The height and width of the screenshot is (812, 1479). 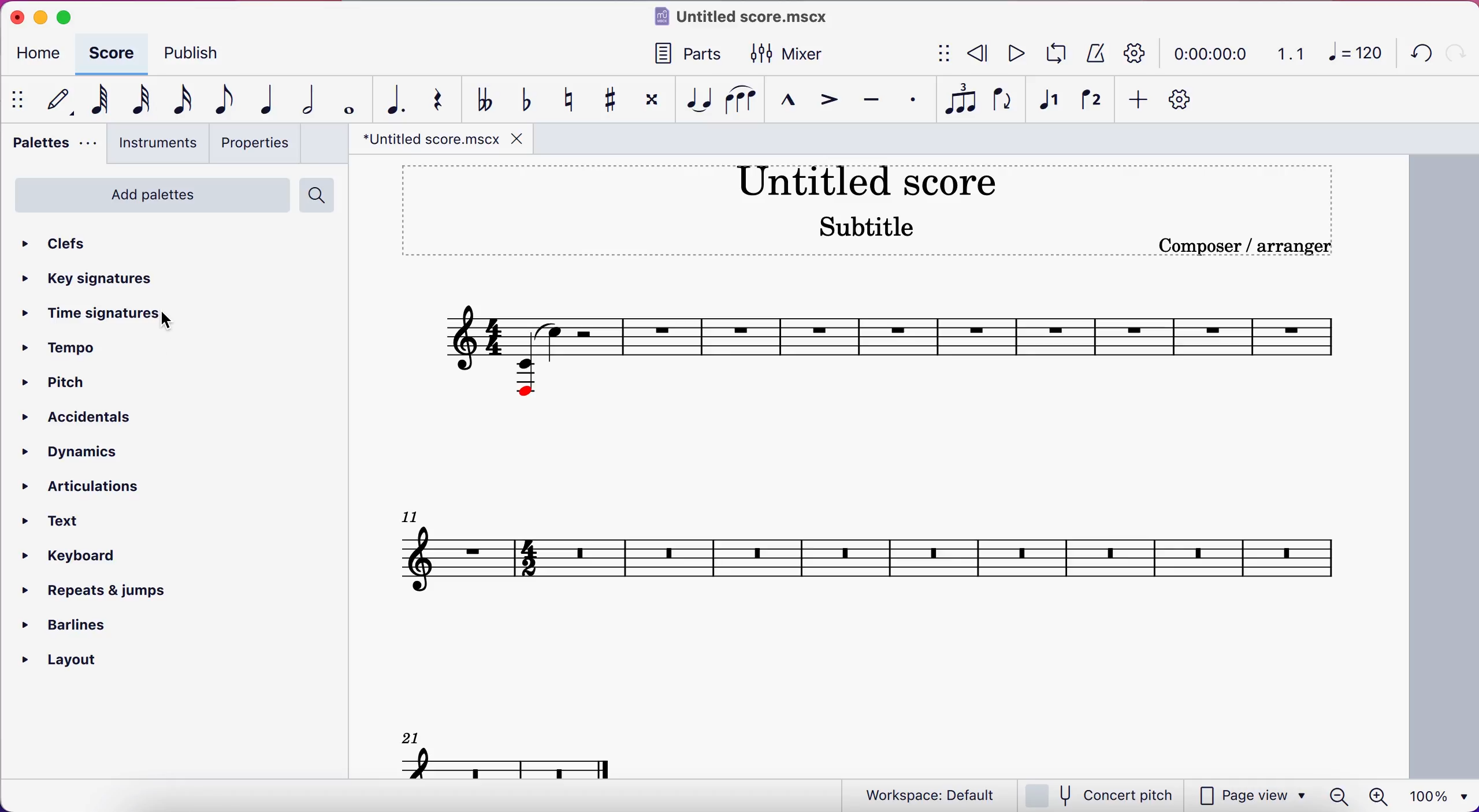 I want to click on add palettes, so click(x=151, y=196).